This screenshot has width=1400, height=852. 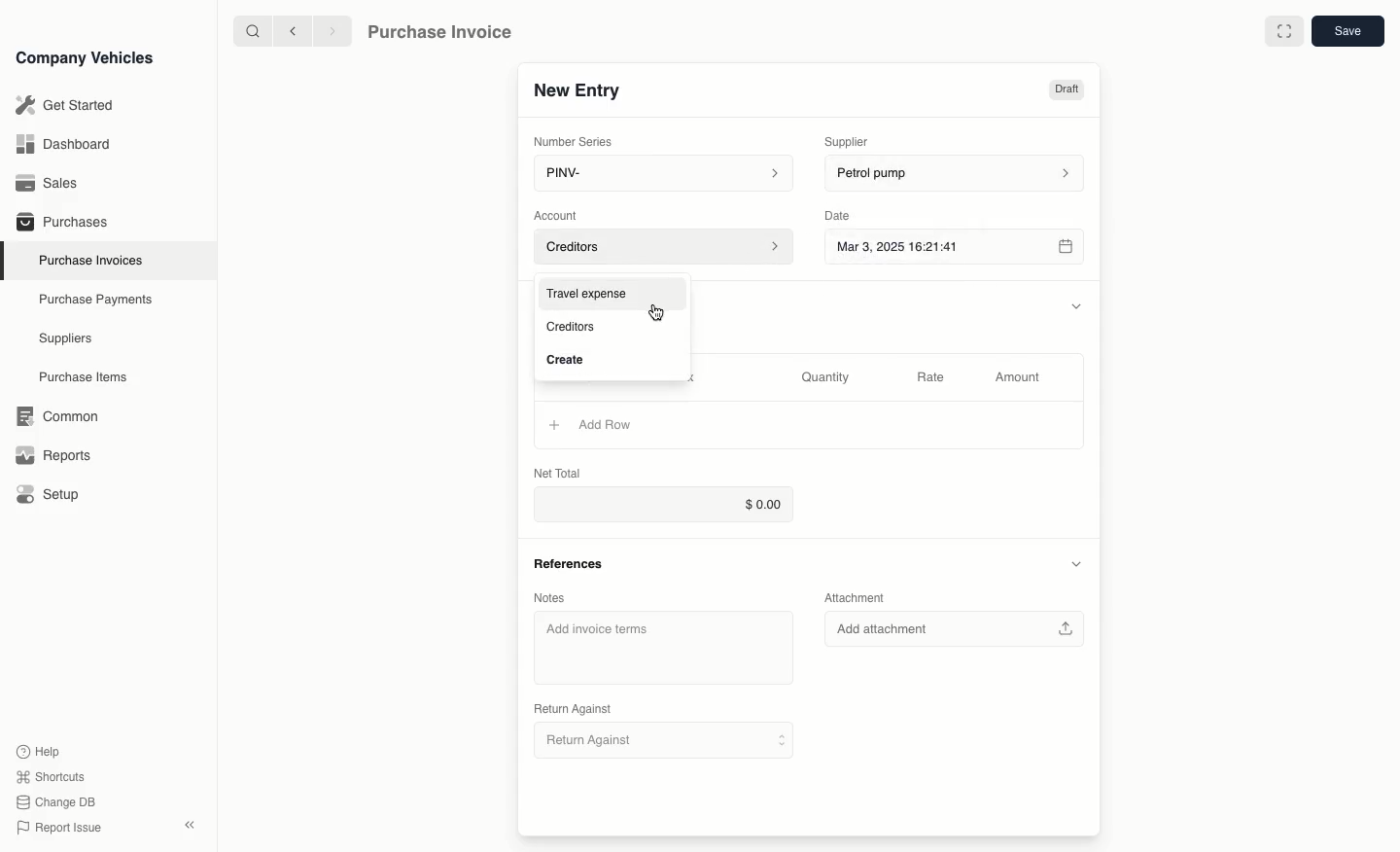 What do you see at coordinates (663, 740) in the screenshot?
I see `Return Against` at bounding box center [663, 740].